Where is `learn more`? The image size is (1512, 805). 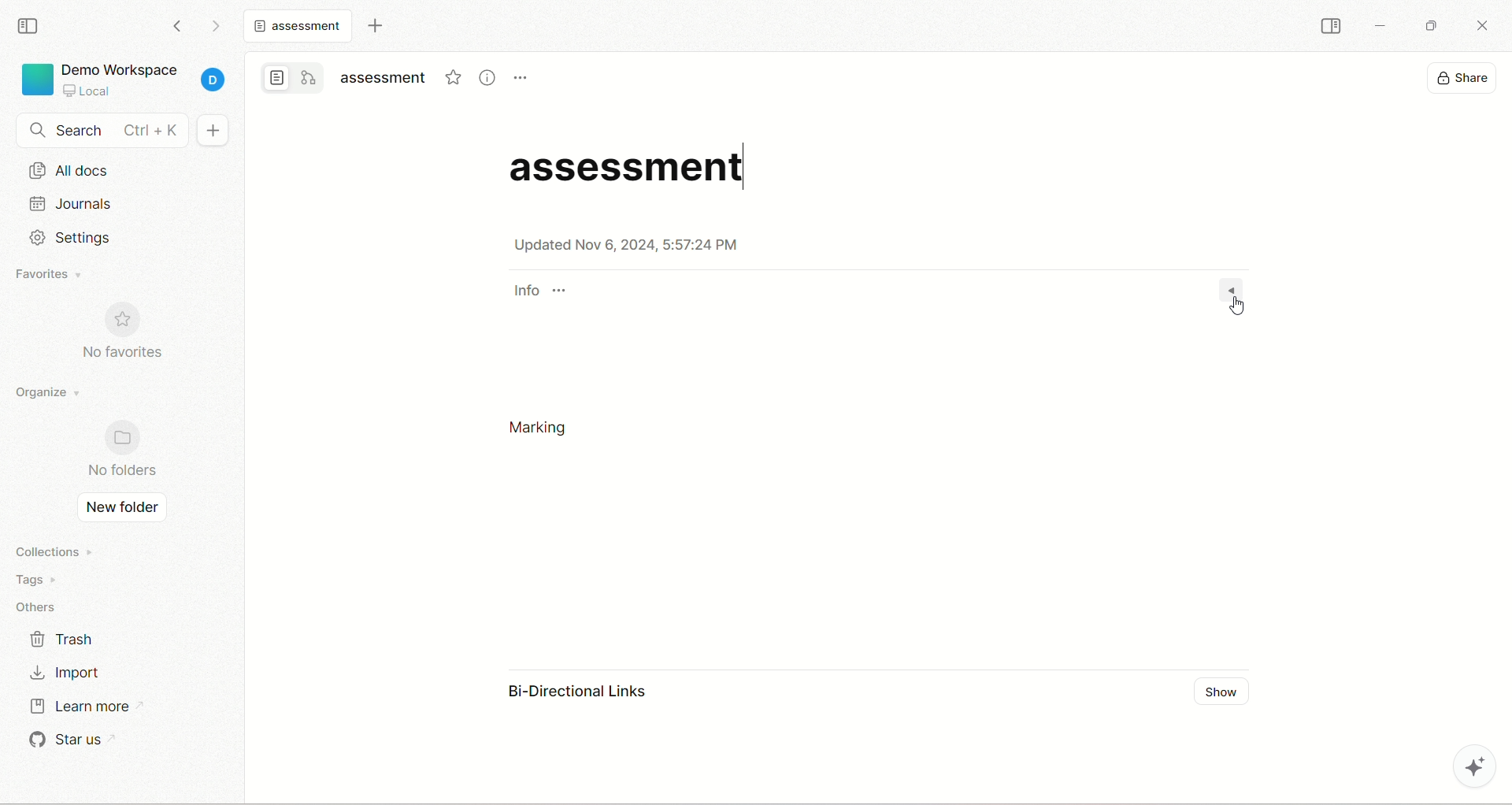
learn more is located at coordinates (83, 707).